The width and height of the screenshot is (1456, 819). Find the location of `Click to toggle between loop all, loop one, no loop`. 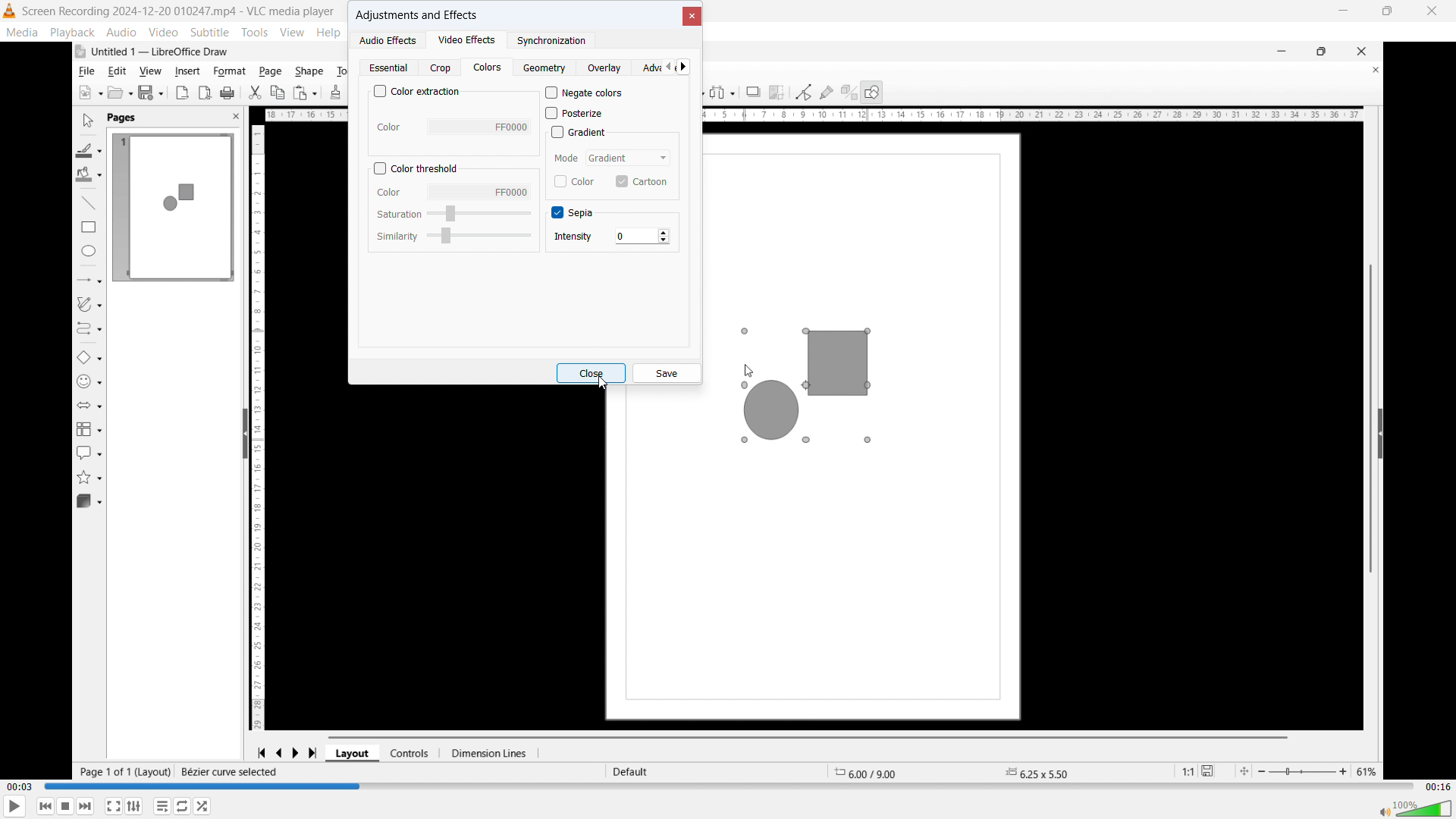

Click to toggle between loop all, loop one, no loop is located at coordinates (182, 807).